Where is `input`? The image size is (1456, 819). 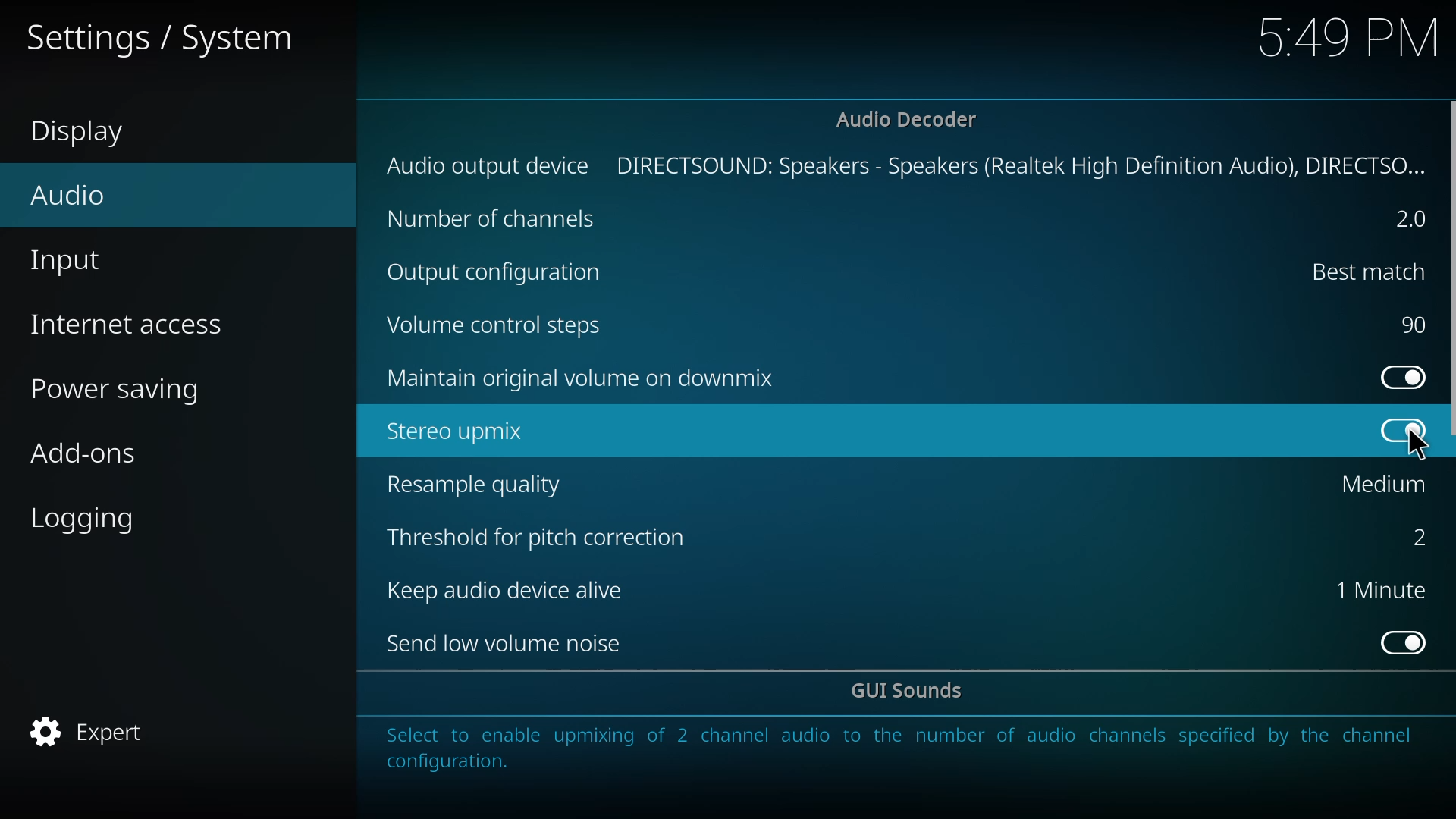
input is located at coordinates (79, 261).